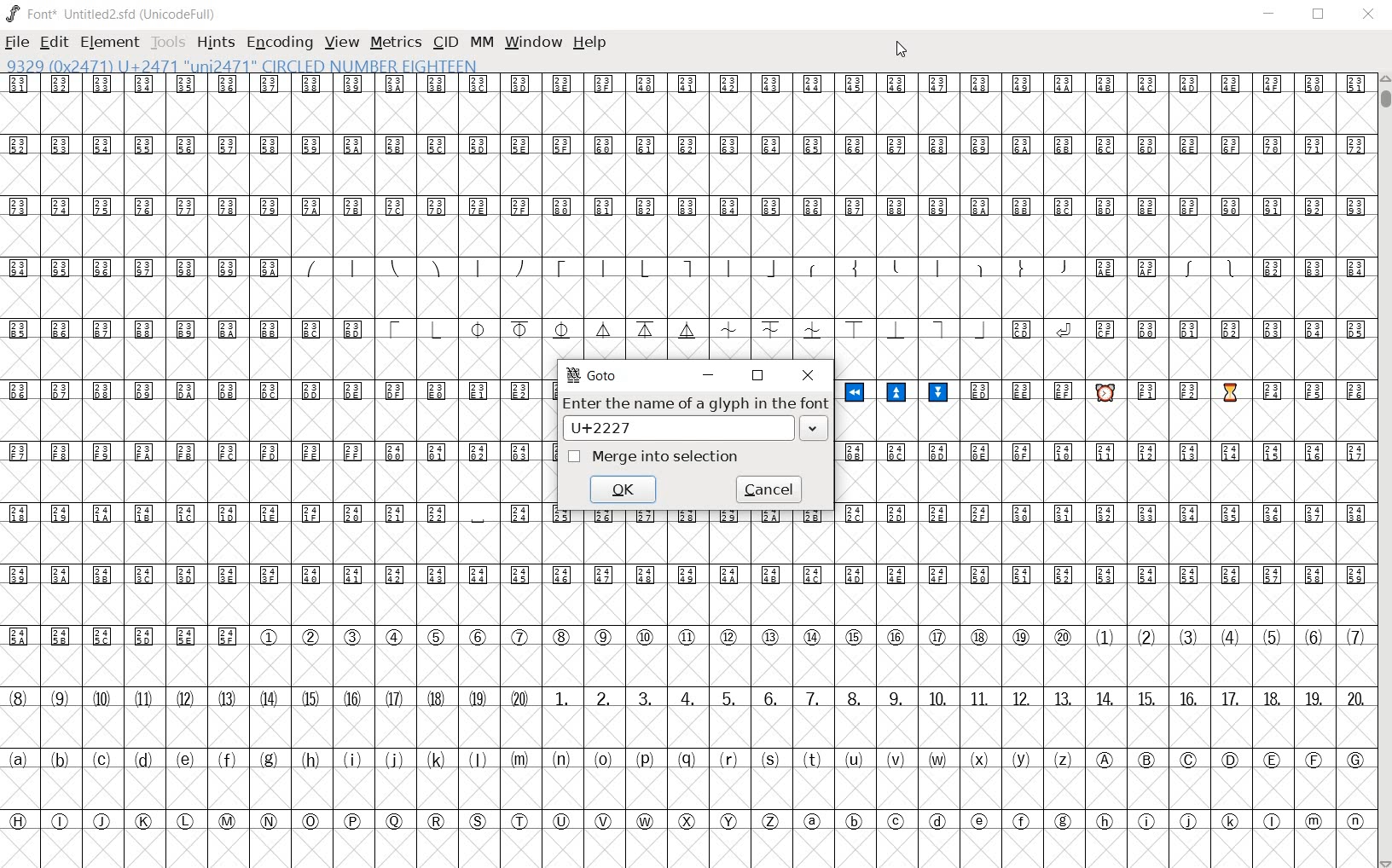  I want to click on scrollbar, so click(1383, 471).